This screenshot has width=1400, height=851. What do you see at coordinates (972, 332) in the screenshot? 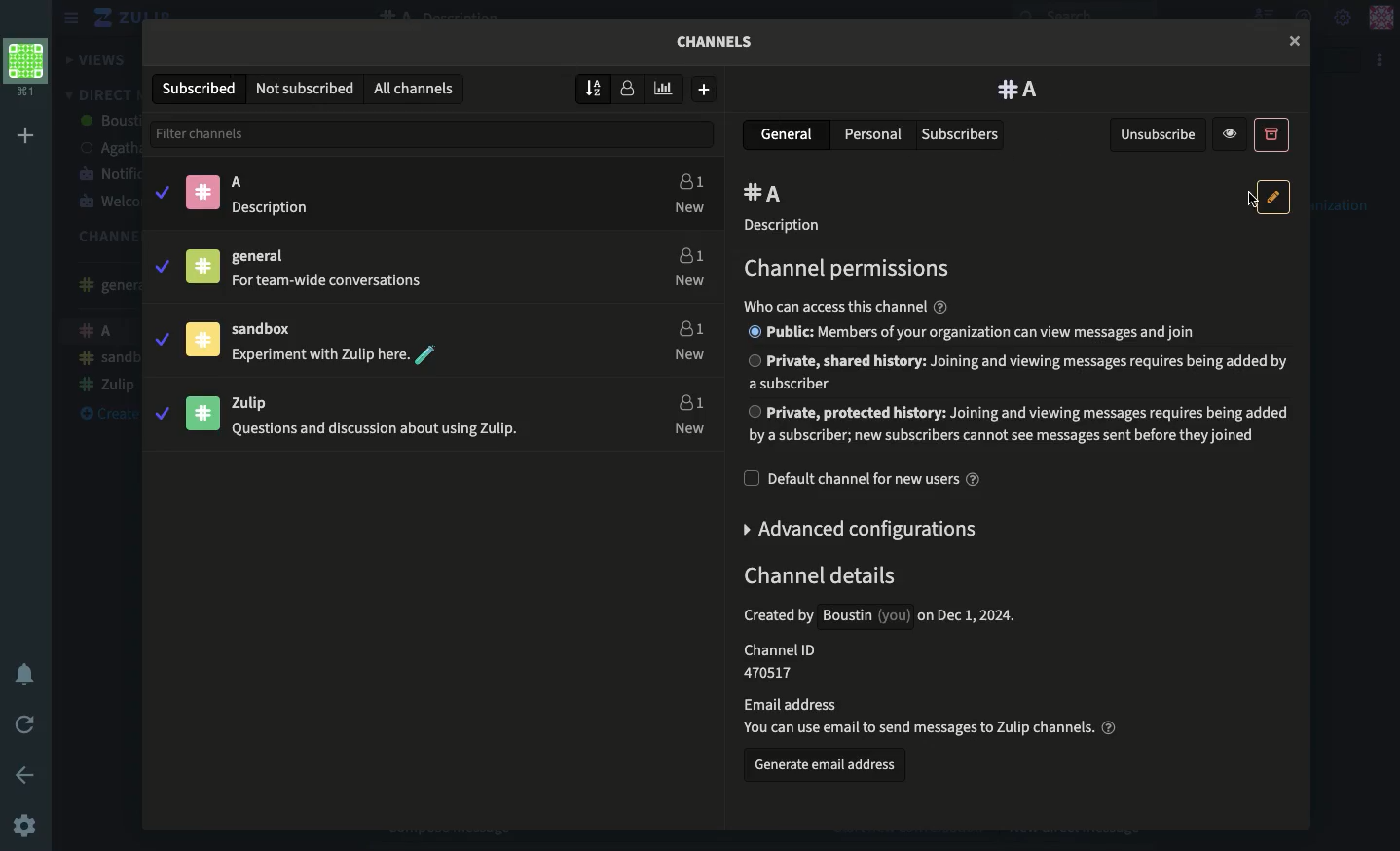
I see `® Public: Members of your organization can view messages and join` at bounding box center [972, 332].